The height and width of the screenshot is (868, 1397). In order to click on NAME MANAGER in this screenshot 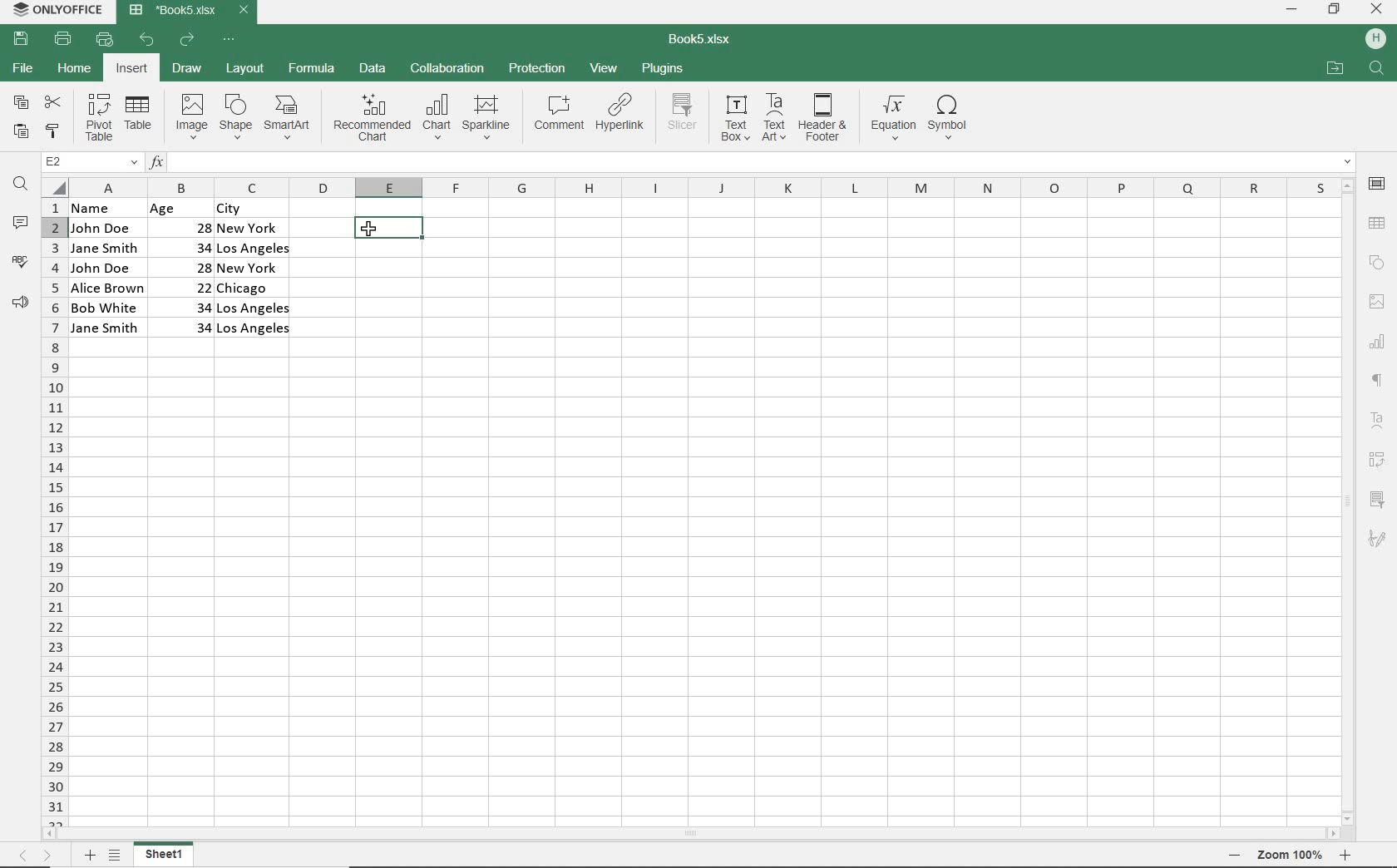, I will do `click(89, 162)`.